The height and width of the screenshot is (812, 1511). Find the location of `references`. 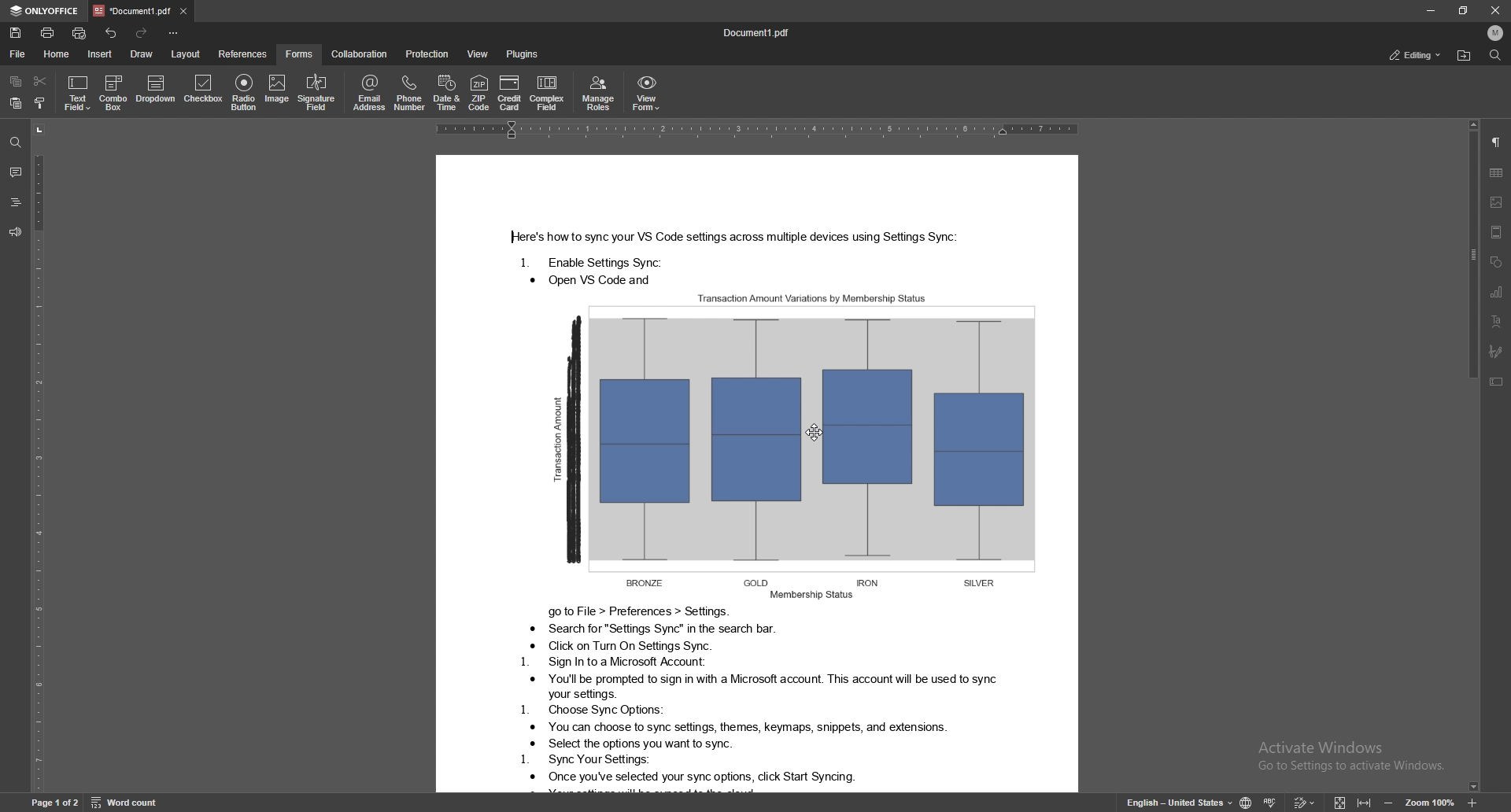

references is located at coordinates (244, 54).